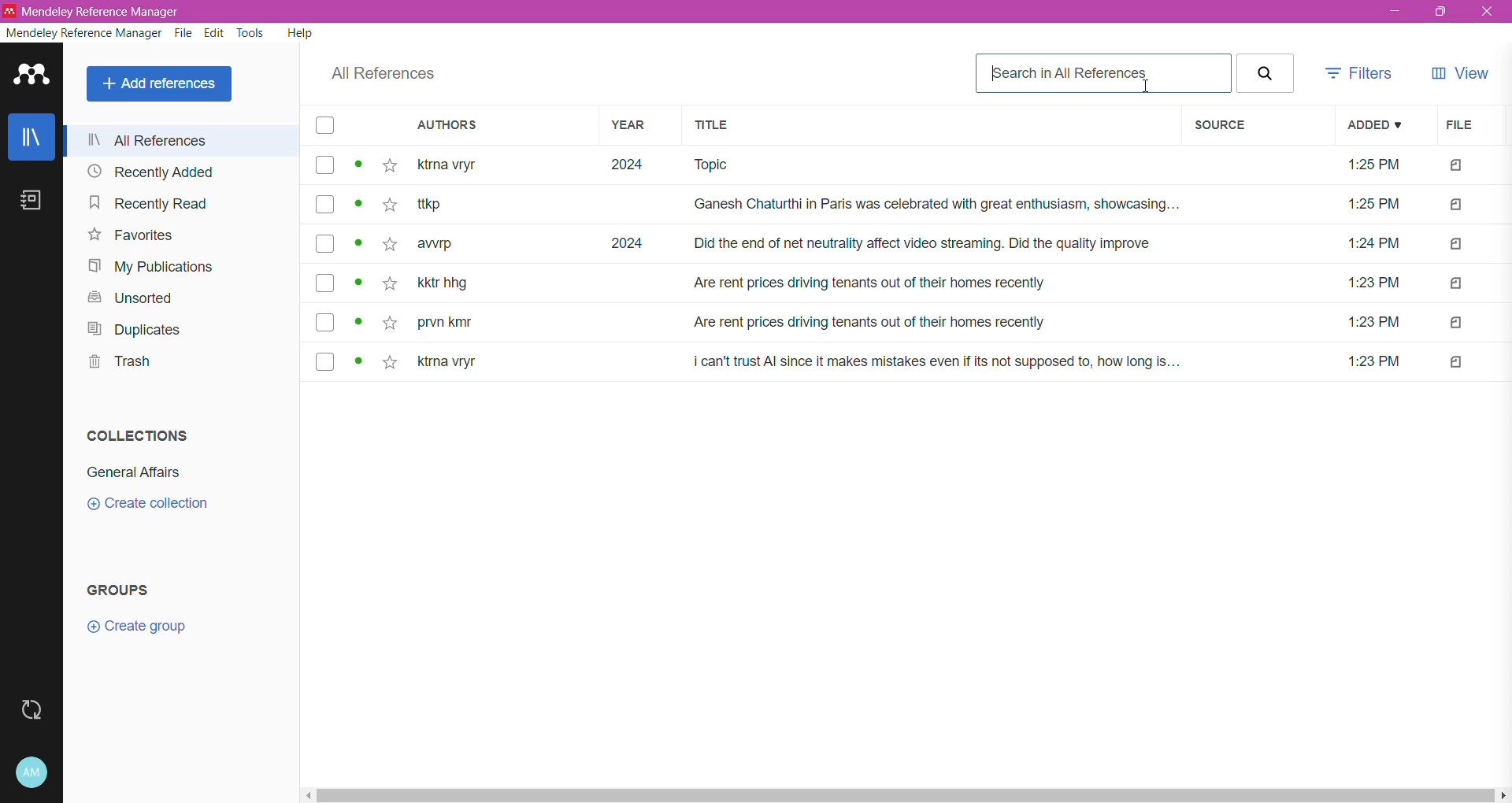 The width and height of the screenshot is (1512, 803). Describe the element at coordinates (33, 712) in the screenshot. I see `Last Sync` at that location.